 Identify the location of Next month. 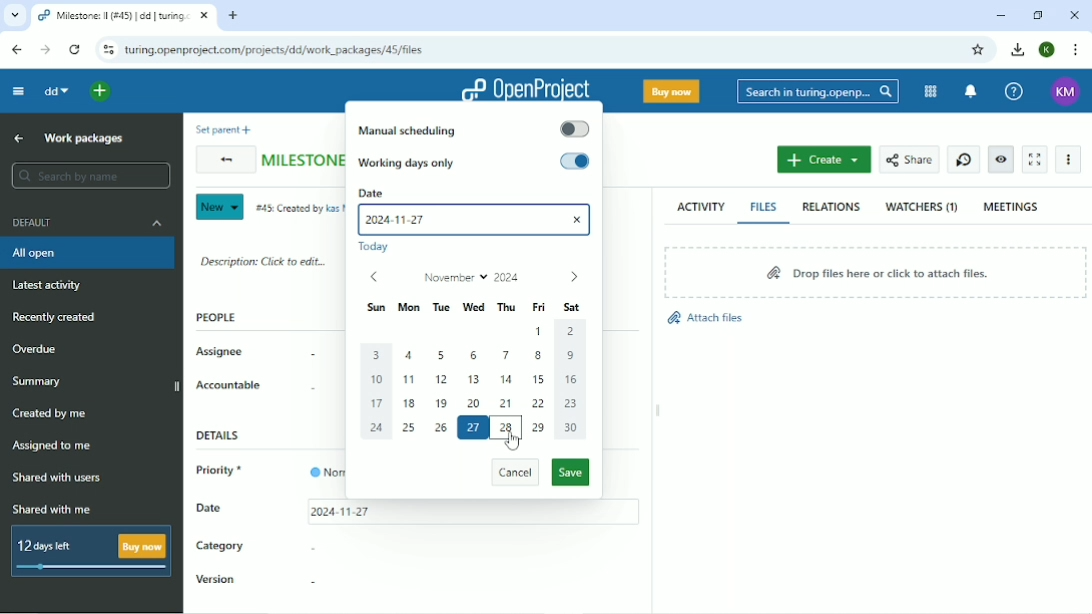
(573, 278).